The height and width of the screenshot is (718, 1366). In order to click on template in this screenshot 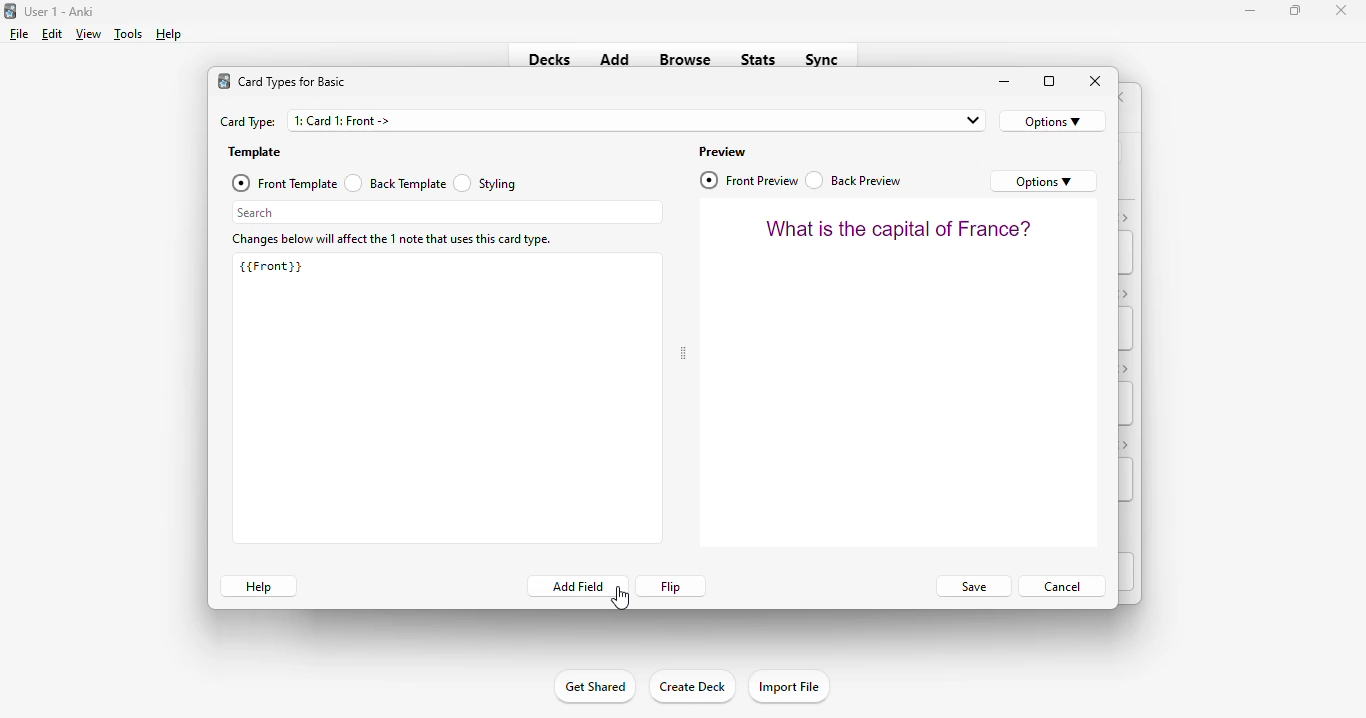, I will do `click(255, 153)`.